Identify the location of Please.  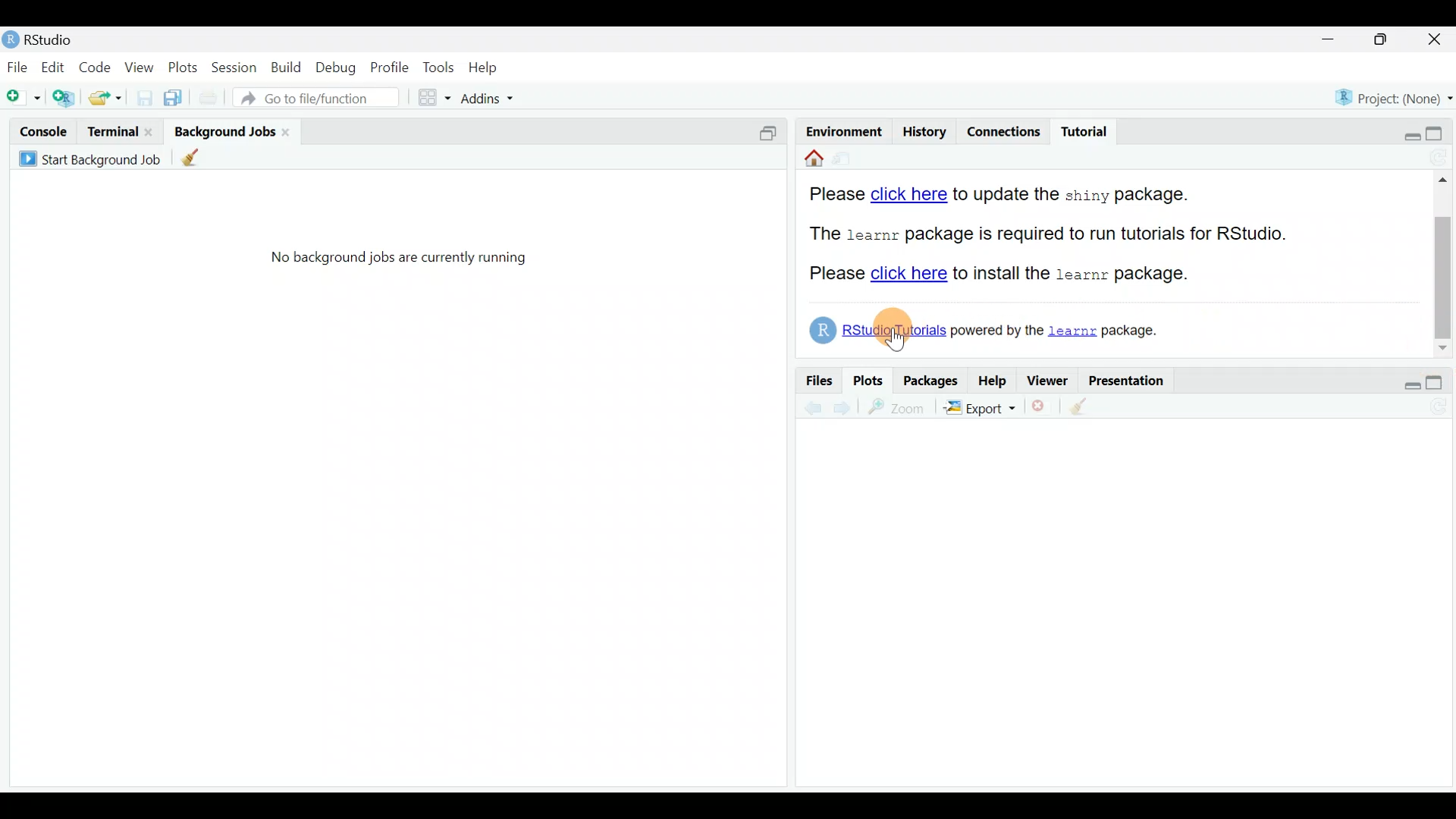
(833, 190).